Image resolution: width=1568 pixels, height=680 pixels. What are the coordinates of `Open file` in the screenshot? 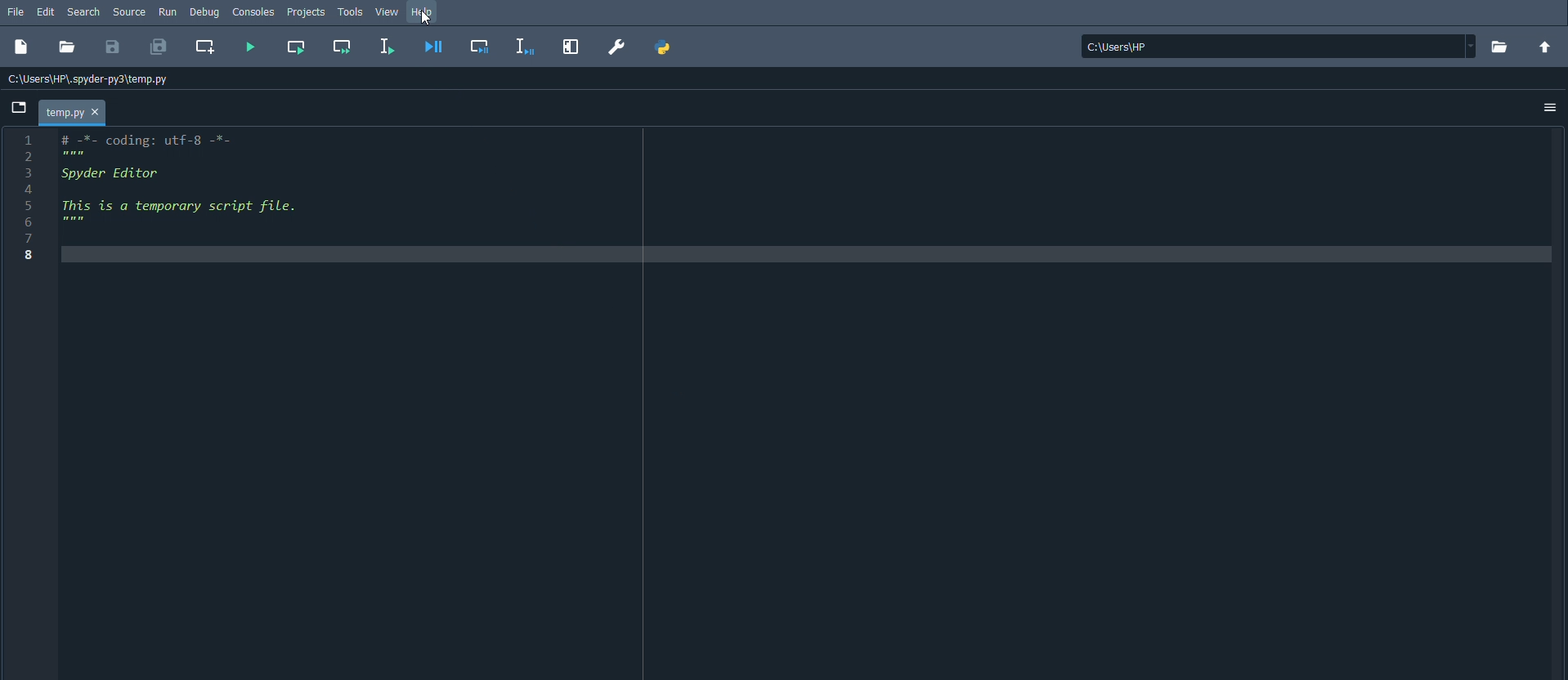 It's located at (65, 45).